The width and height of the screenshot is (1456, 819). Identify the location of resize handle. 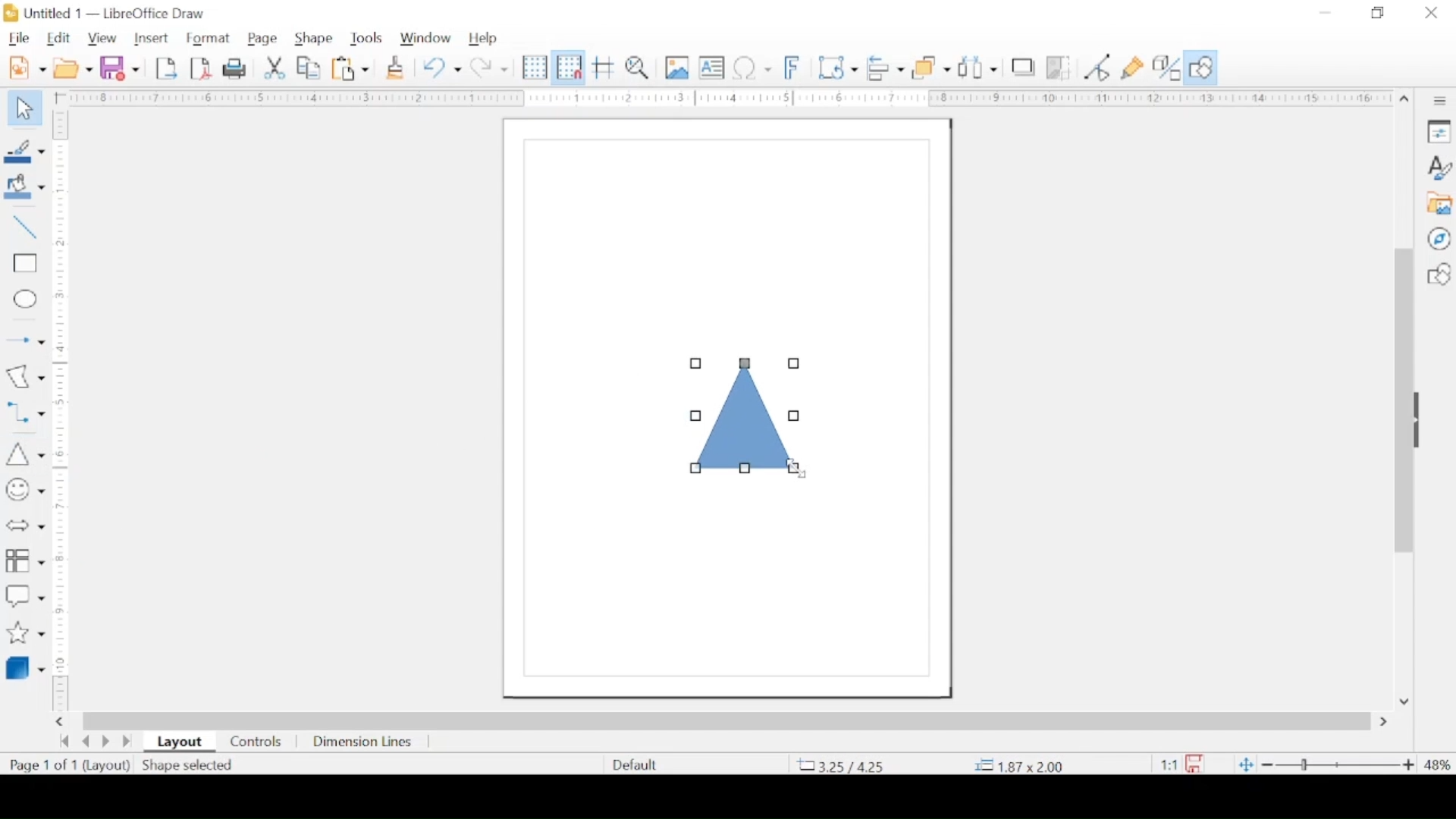
(743, 469).